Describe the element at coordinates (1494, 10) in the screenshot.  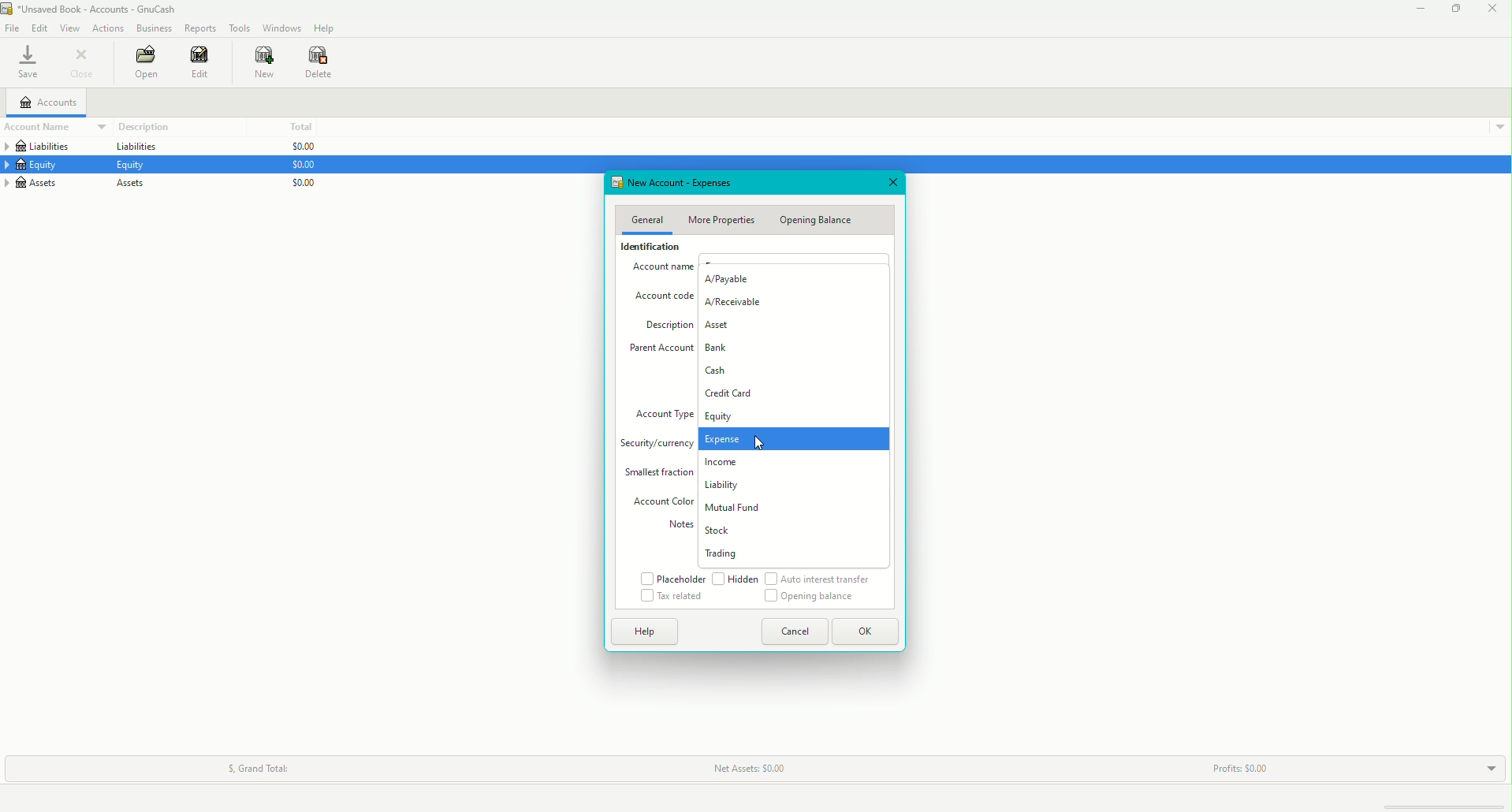
I see `Close` at that location.